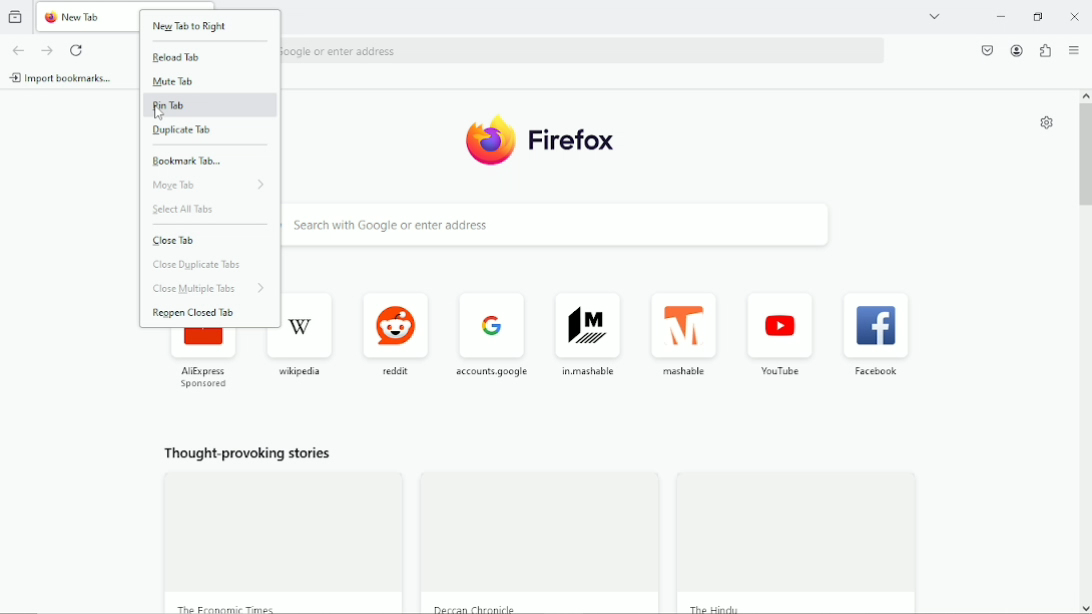  I want to click on search bar, so click(584, 226).